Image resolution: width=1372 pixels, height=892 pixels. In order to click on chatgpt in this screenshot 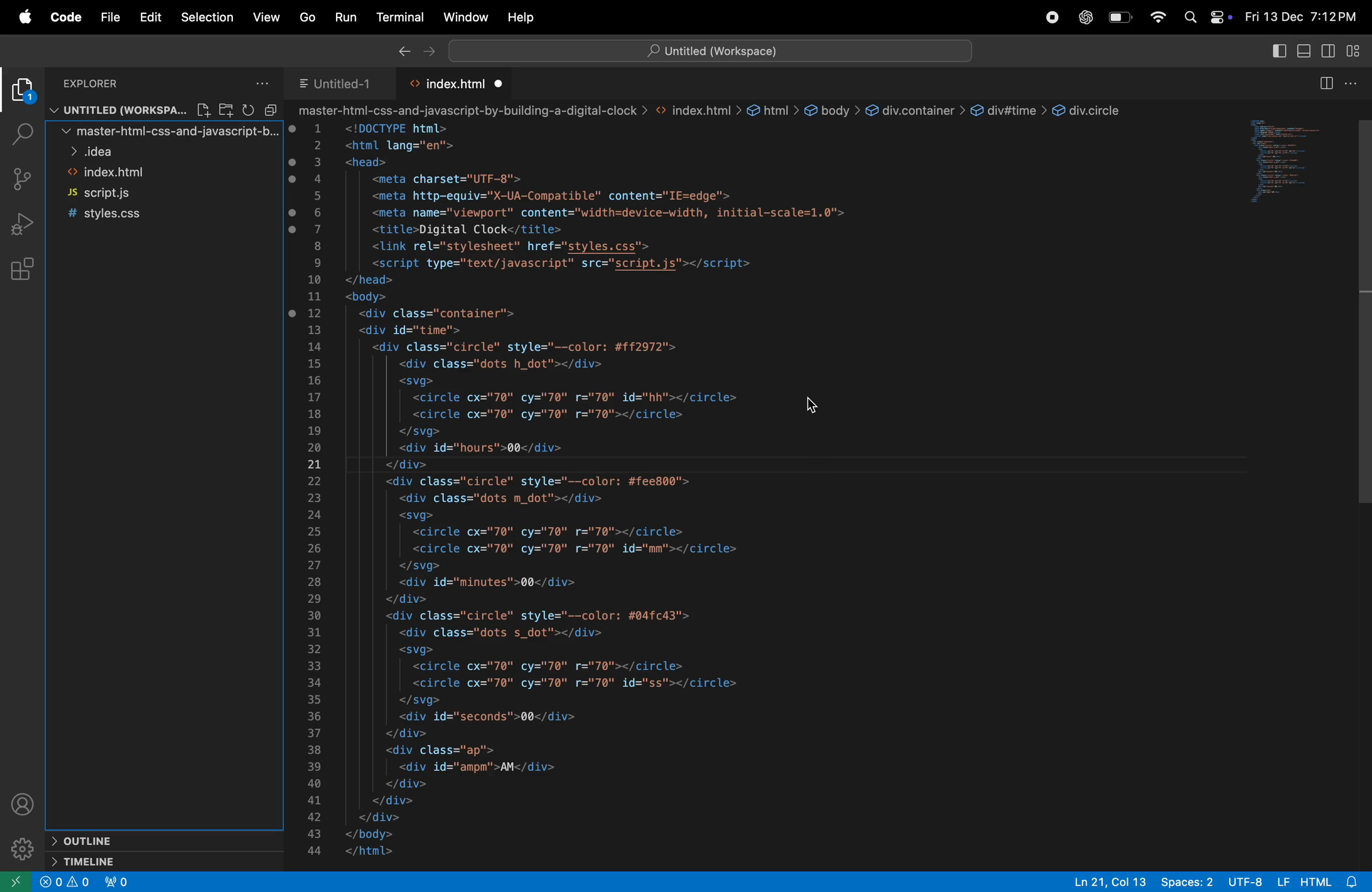, I will do `click(1087, 17)`.